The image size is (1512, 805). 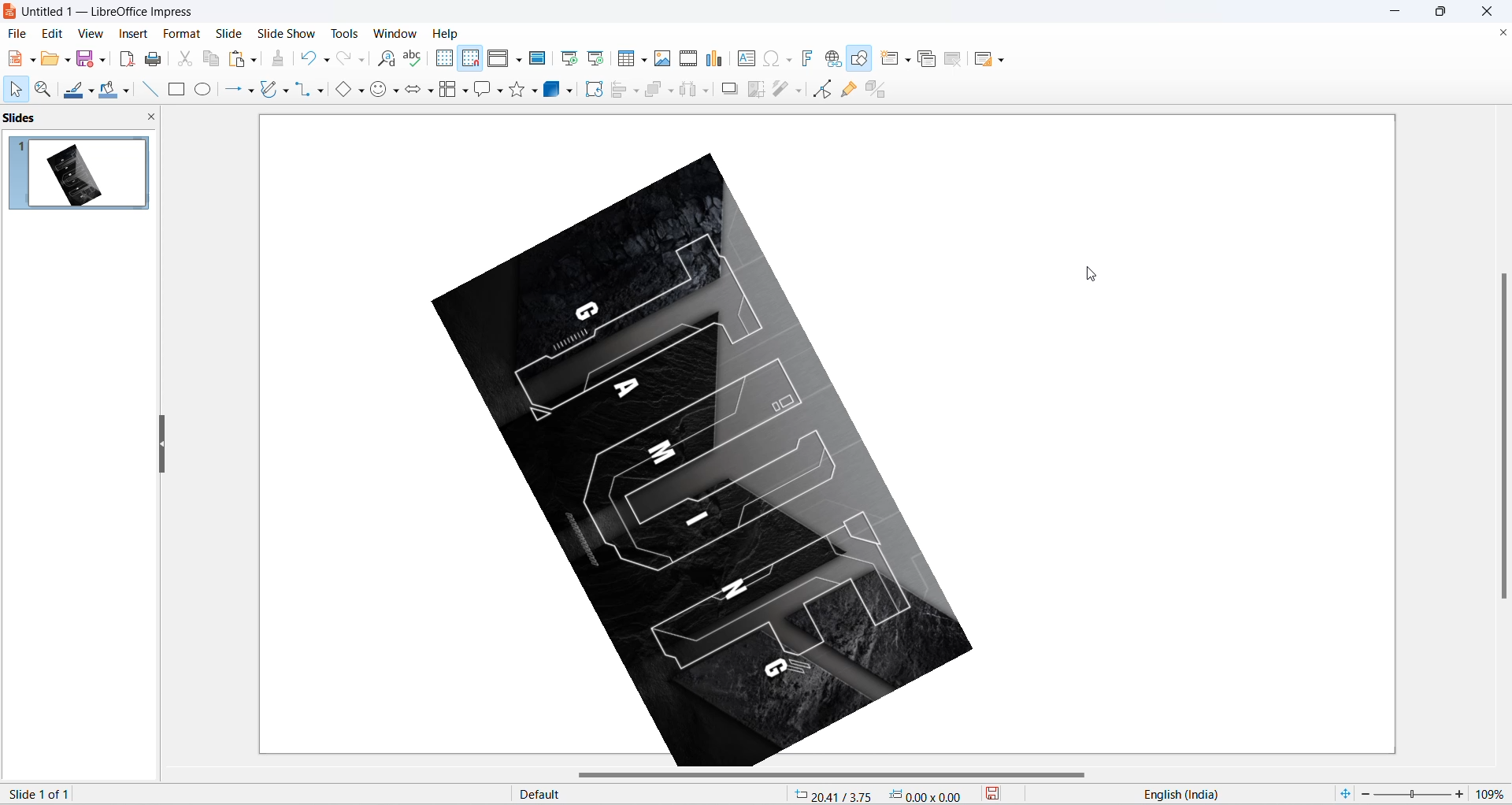 I want to click on export as pdf, so click(x=126, y=57).